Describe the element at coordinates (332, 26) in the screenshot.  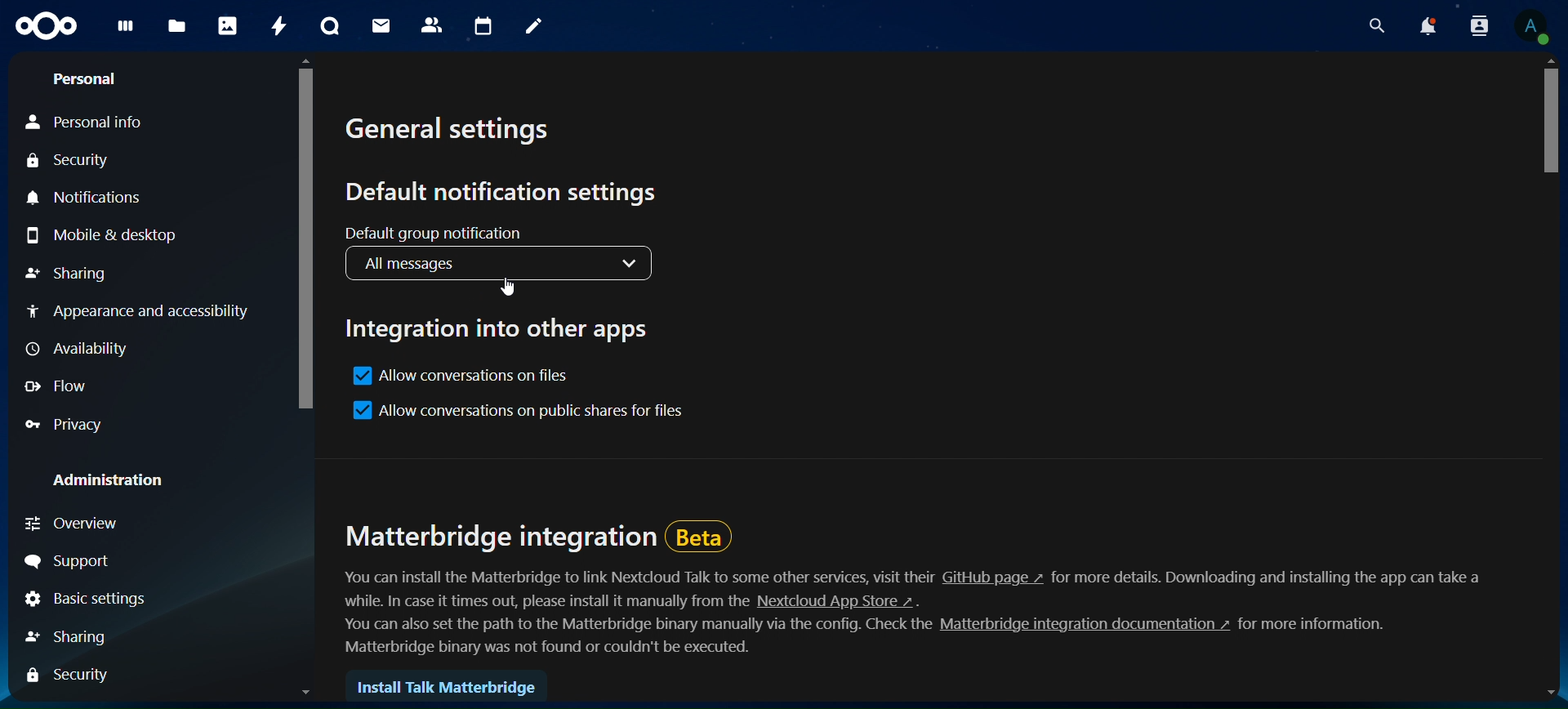
I see `talk` at that location.